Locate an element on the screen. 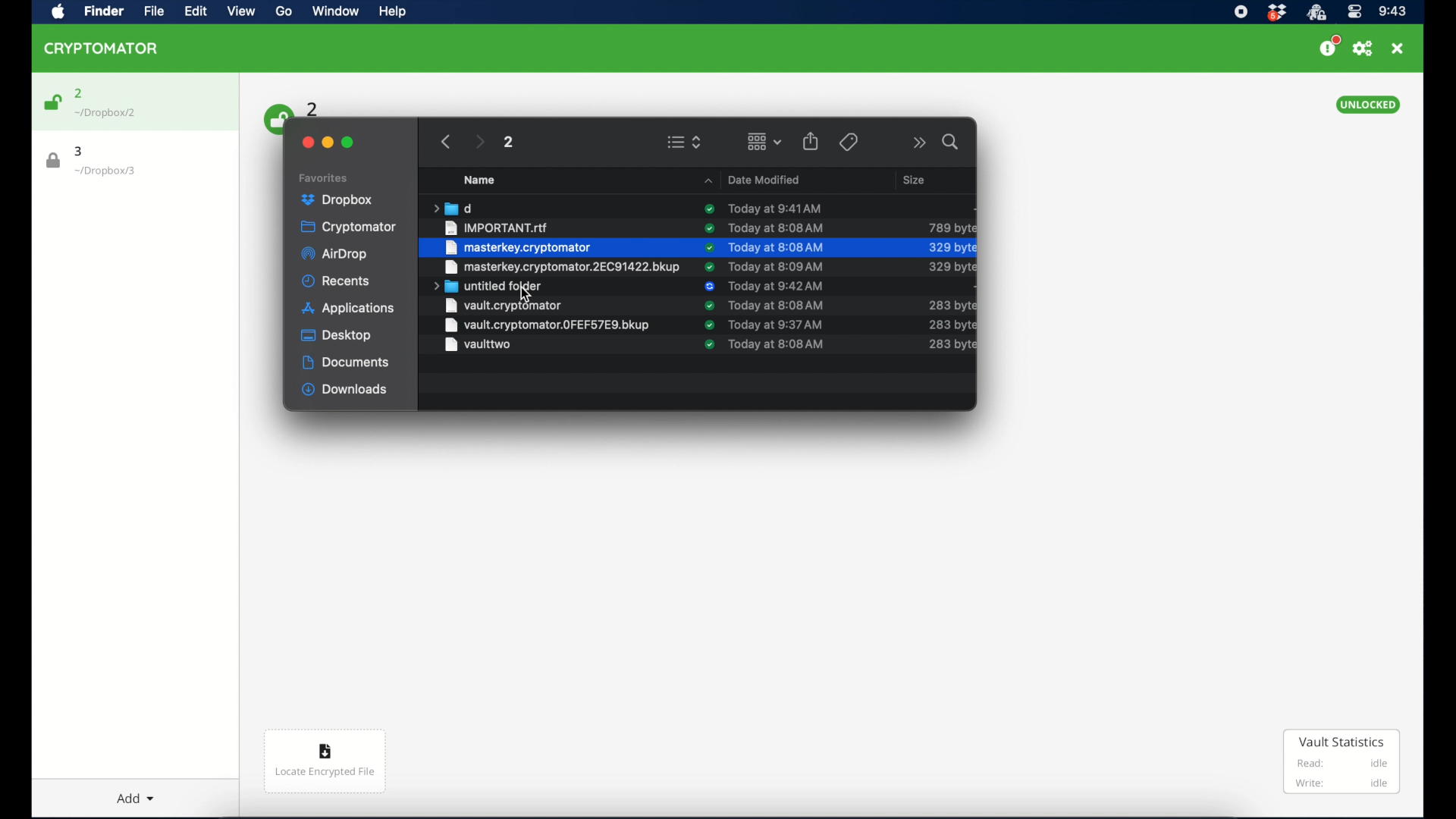 The width and height of the screenshot is (1456, 819). change item grouping is located at coordinates (765, 141).